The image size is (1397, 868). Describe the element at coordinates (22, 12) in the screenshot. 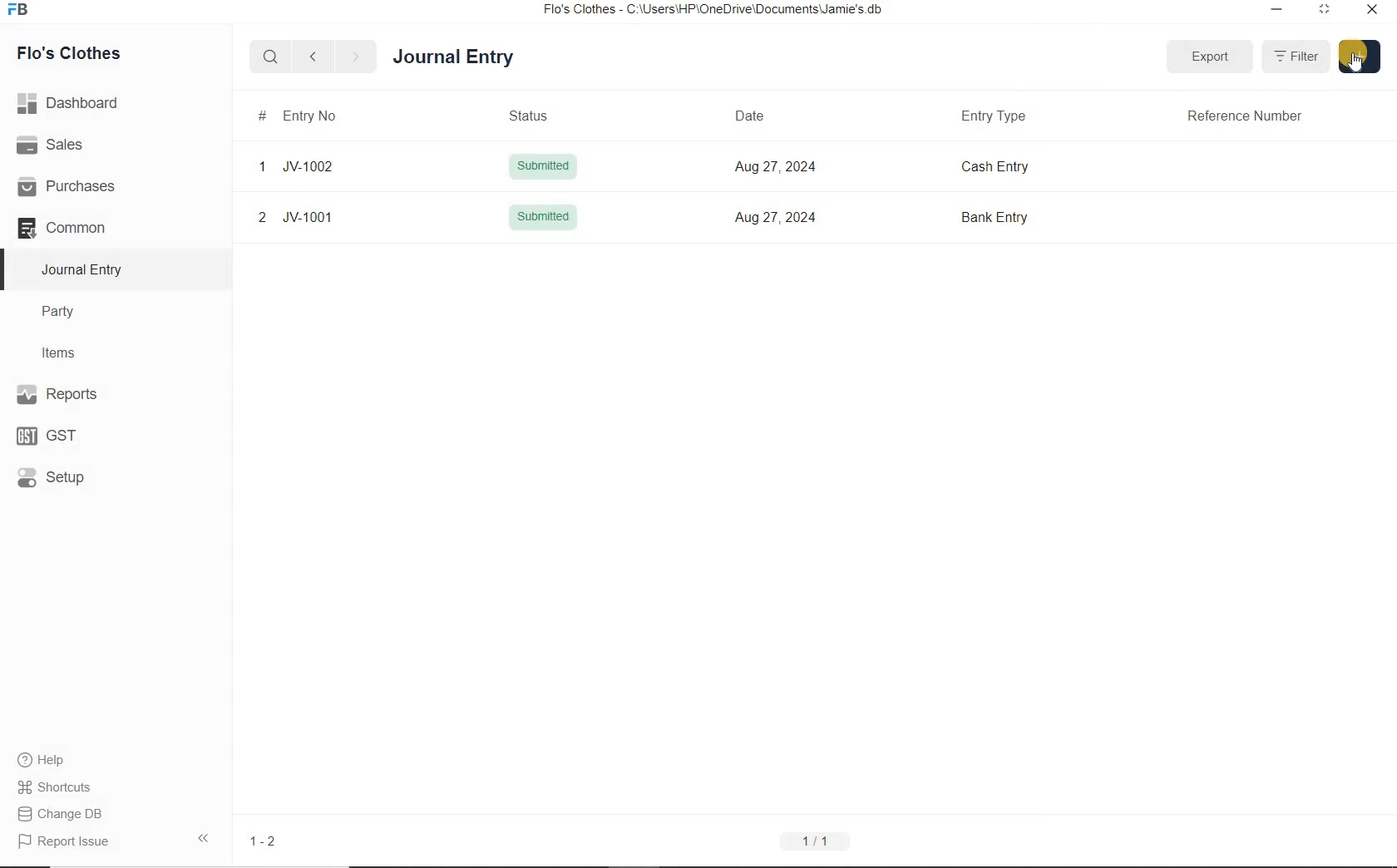

I see `Frappe Books logo` at that location.